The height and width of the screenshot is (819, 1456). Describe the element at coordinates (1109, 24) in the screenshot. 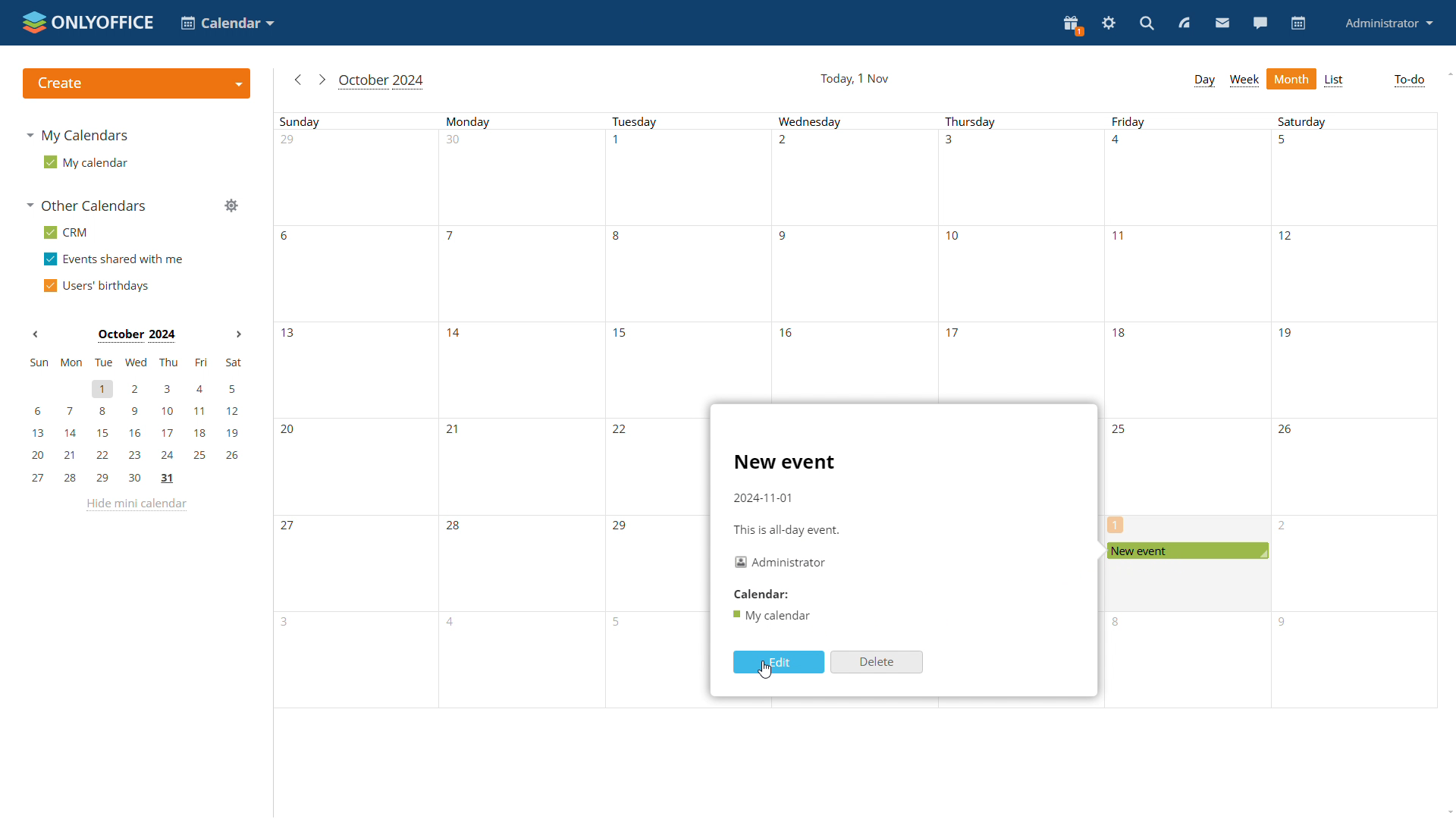

I see `serringas` at that location.